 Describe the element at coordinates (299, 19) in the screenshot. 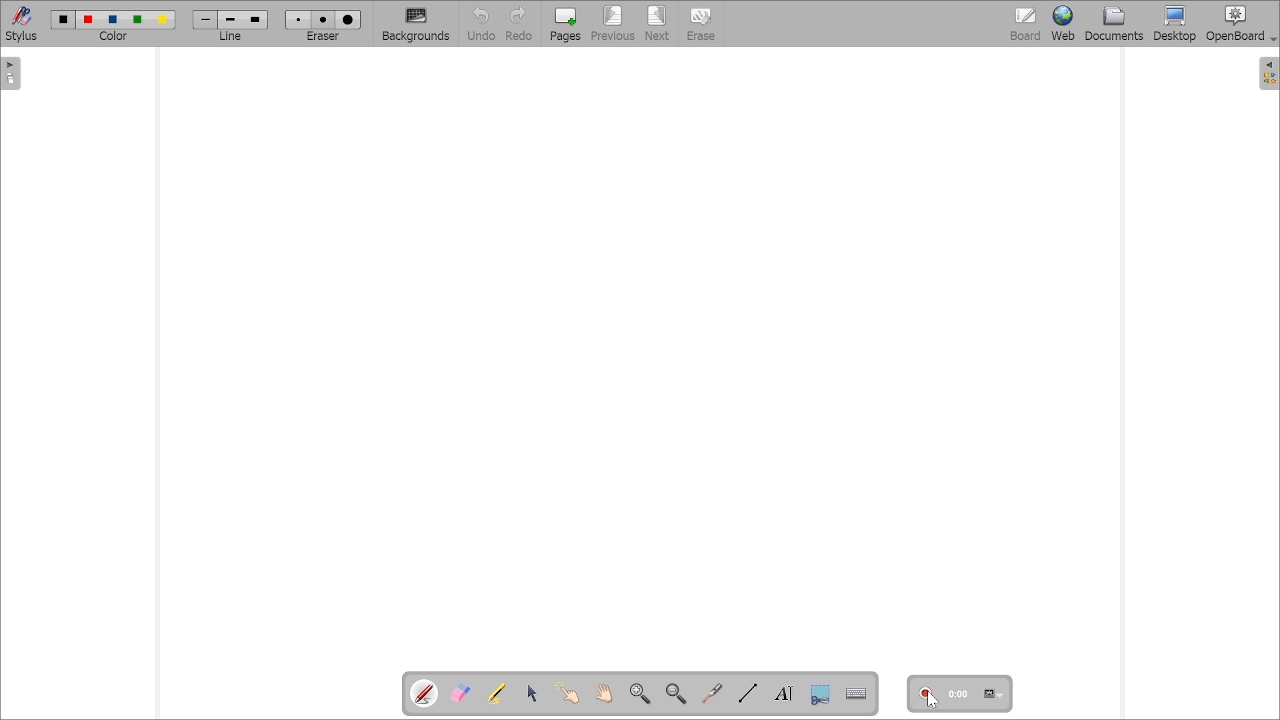

I see `Eraser1` at that location.